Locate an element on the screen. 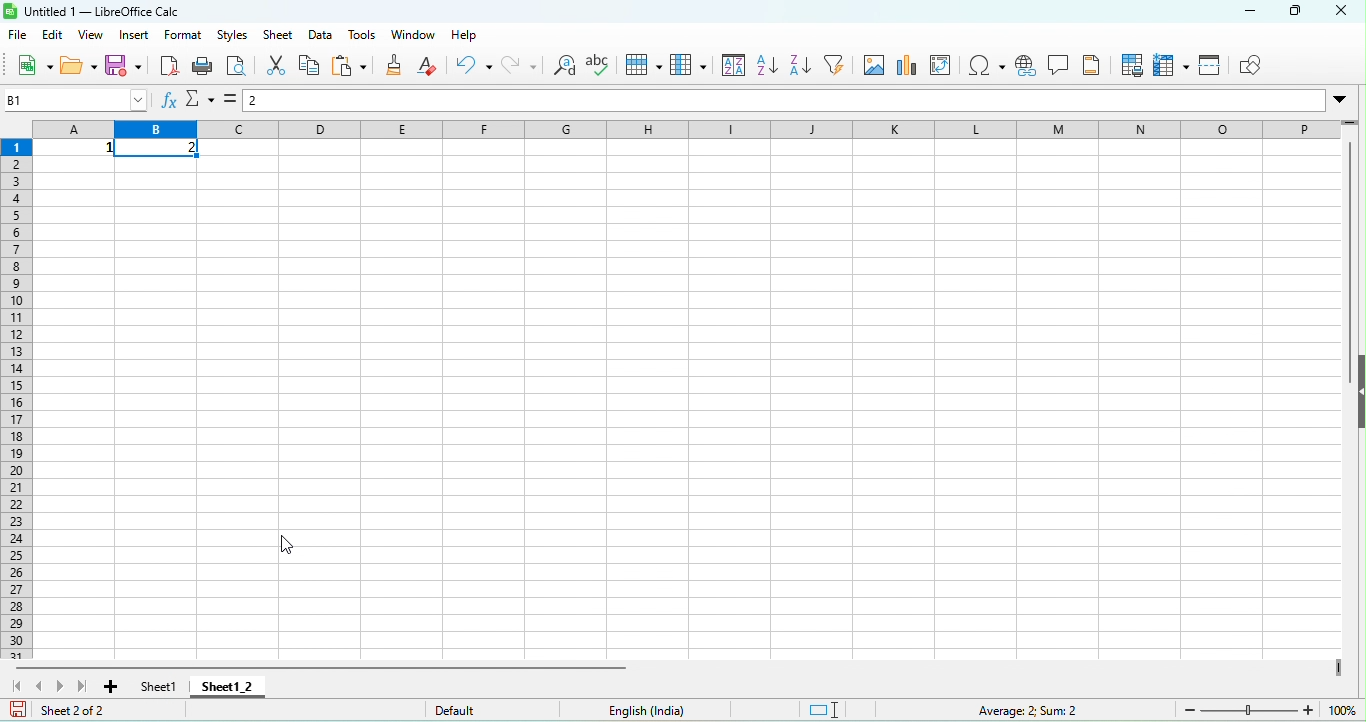 The width and height of the screenshot is (1366, 722). tools is located at coordinates (362, 34).